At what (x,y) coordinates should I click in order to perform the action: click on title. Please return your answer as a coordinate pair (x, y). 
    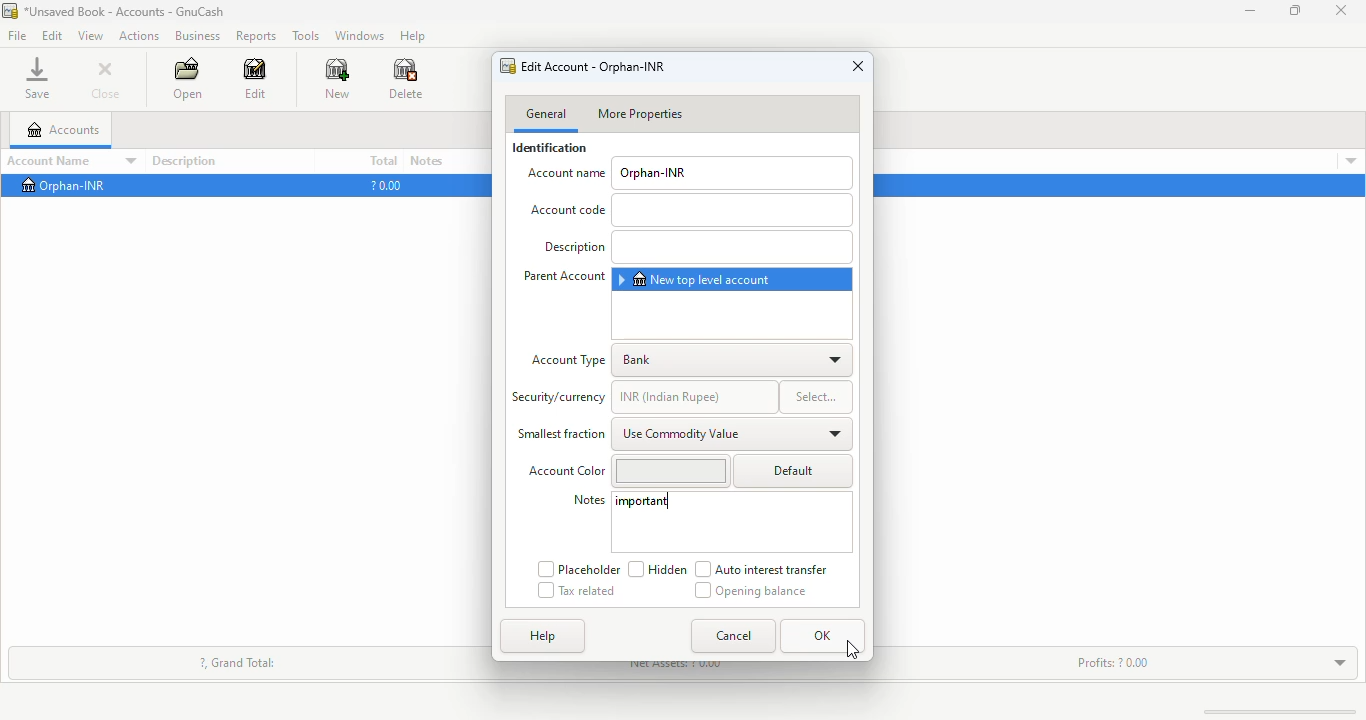
    Looking at the image, I should click on (125, 12).